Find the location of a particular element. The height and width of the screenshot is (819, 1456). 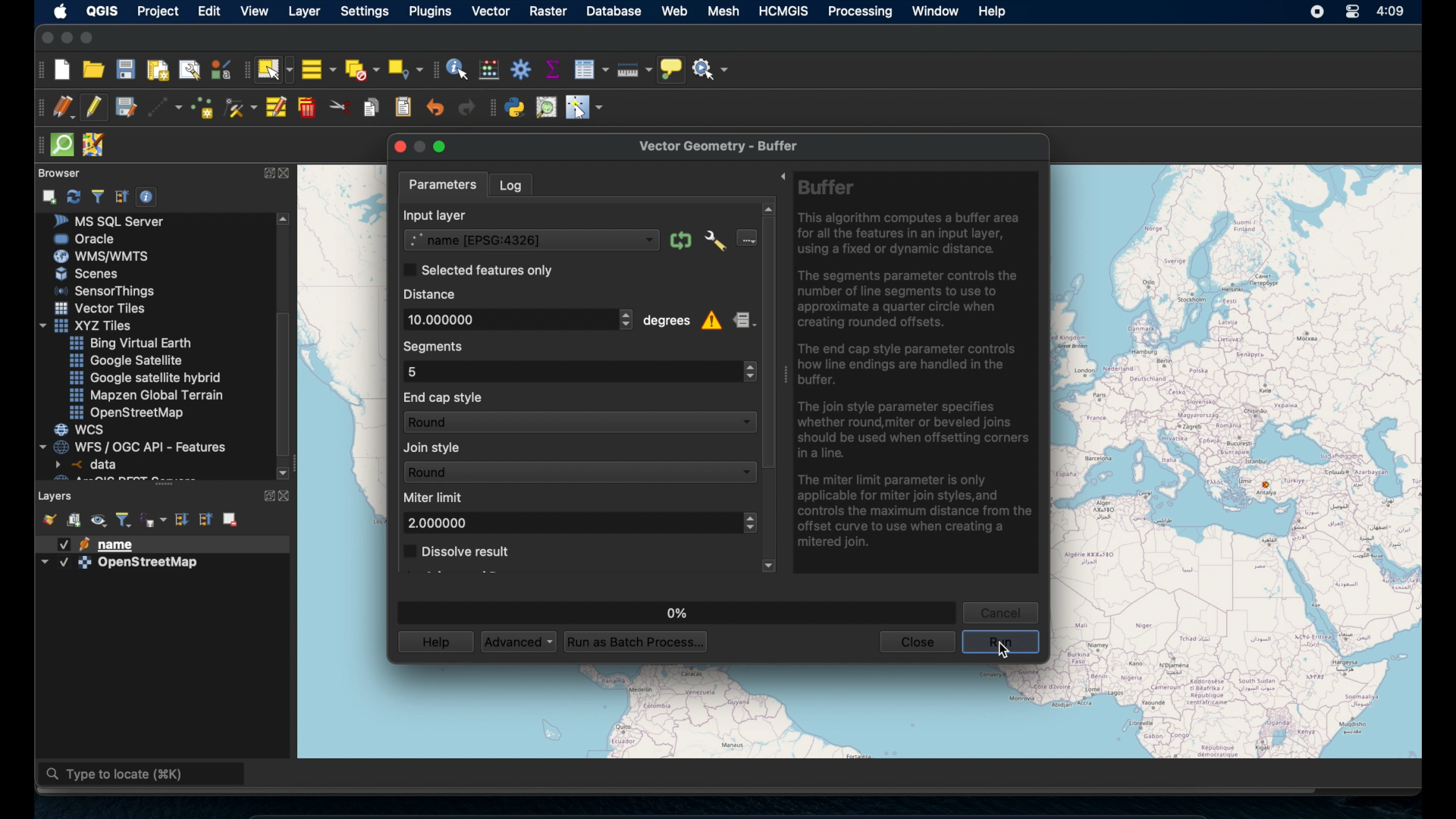

round dropdown is located at coordinates (579, 422).